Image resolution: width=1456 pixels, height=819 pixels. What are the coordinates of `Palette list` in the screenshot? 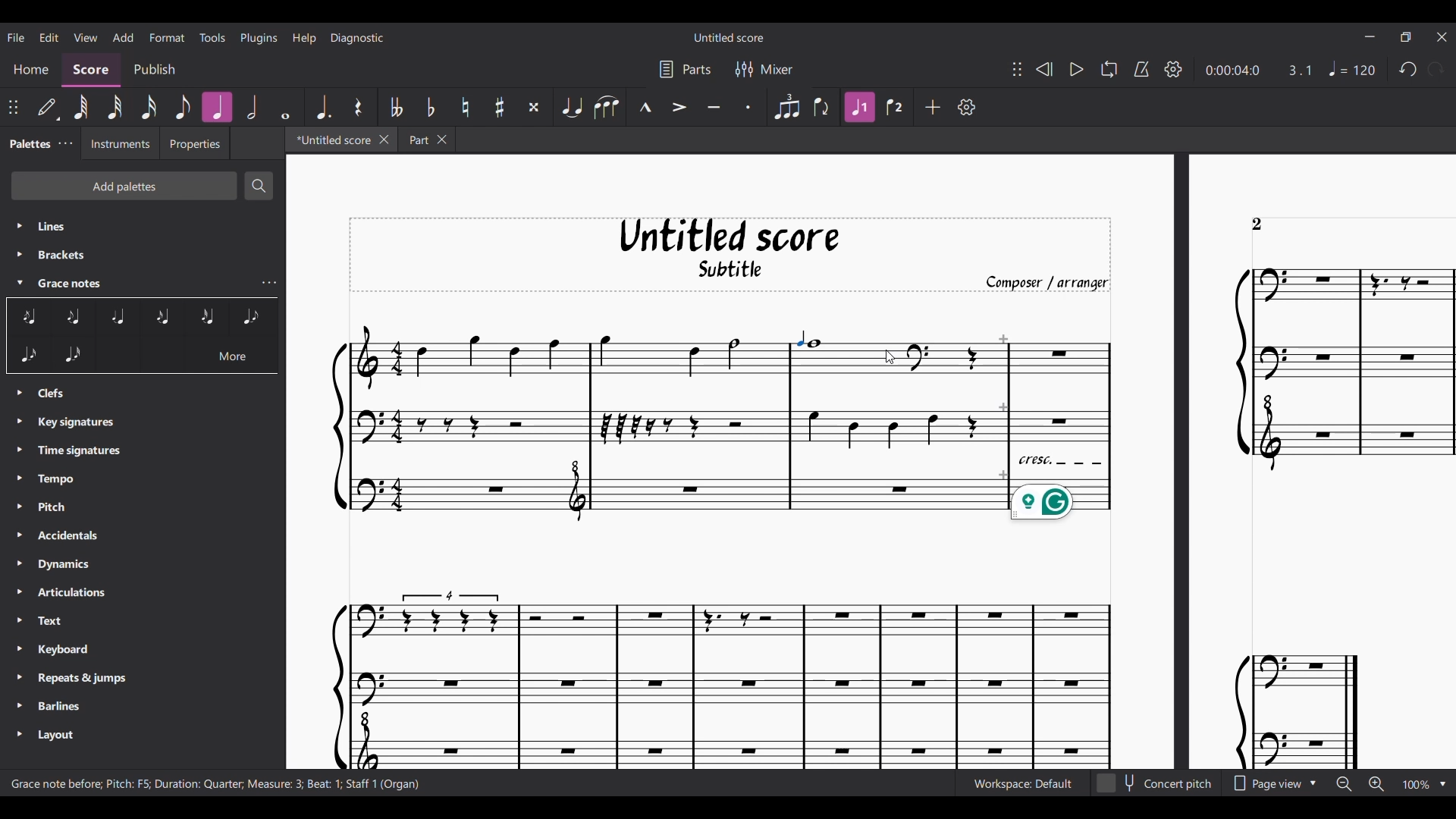 It's located at (144, 482).